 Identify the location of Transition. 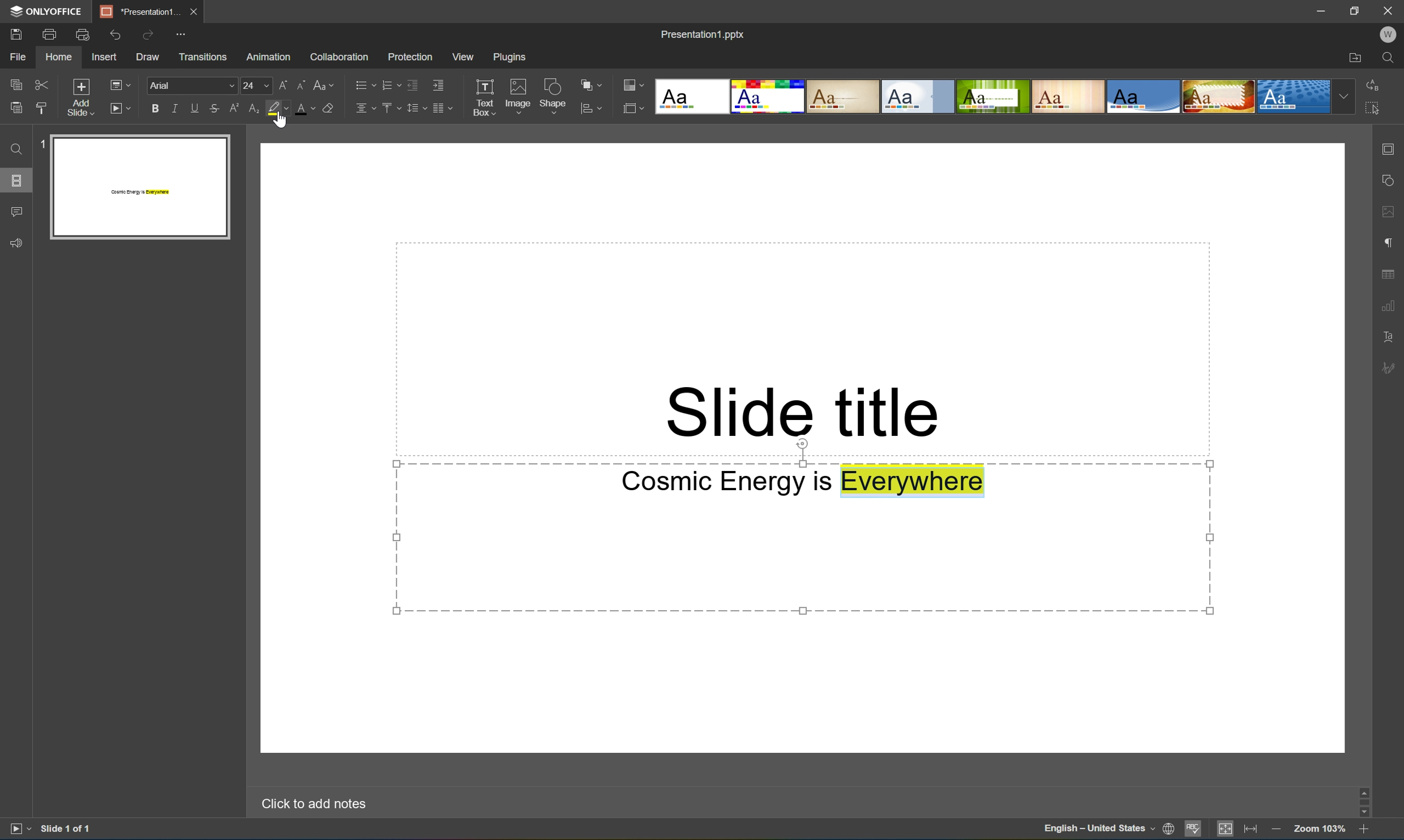
(205, 55).